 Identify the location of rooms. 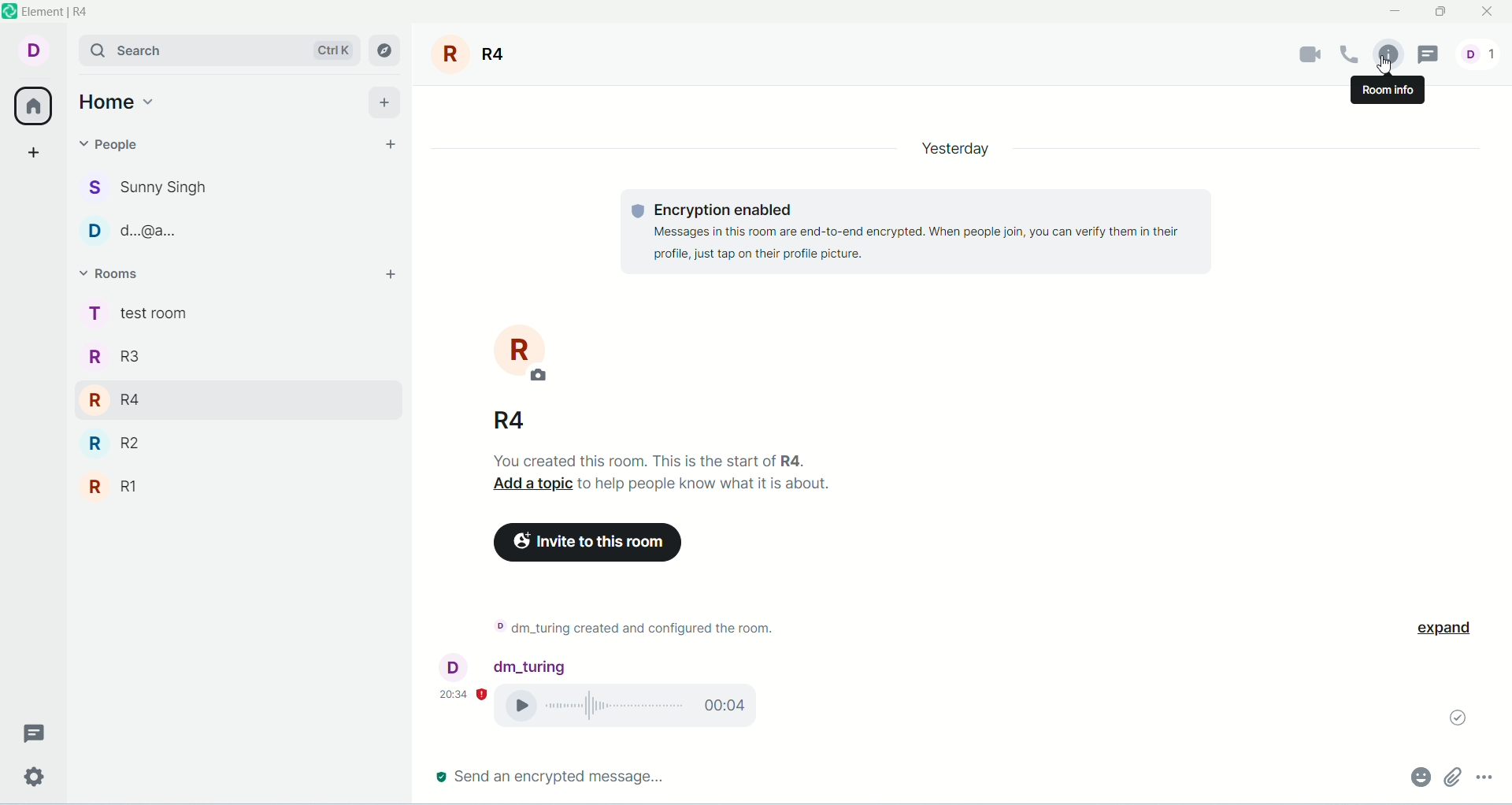
(117, 276).